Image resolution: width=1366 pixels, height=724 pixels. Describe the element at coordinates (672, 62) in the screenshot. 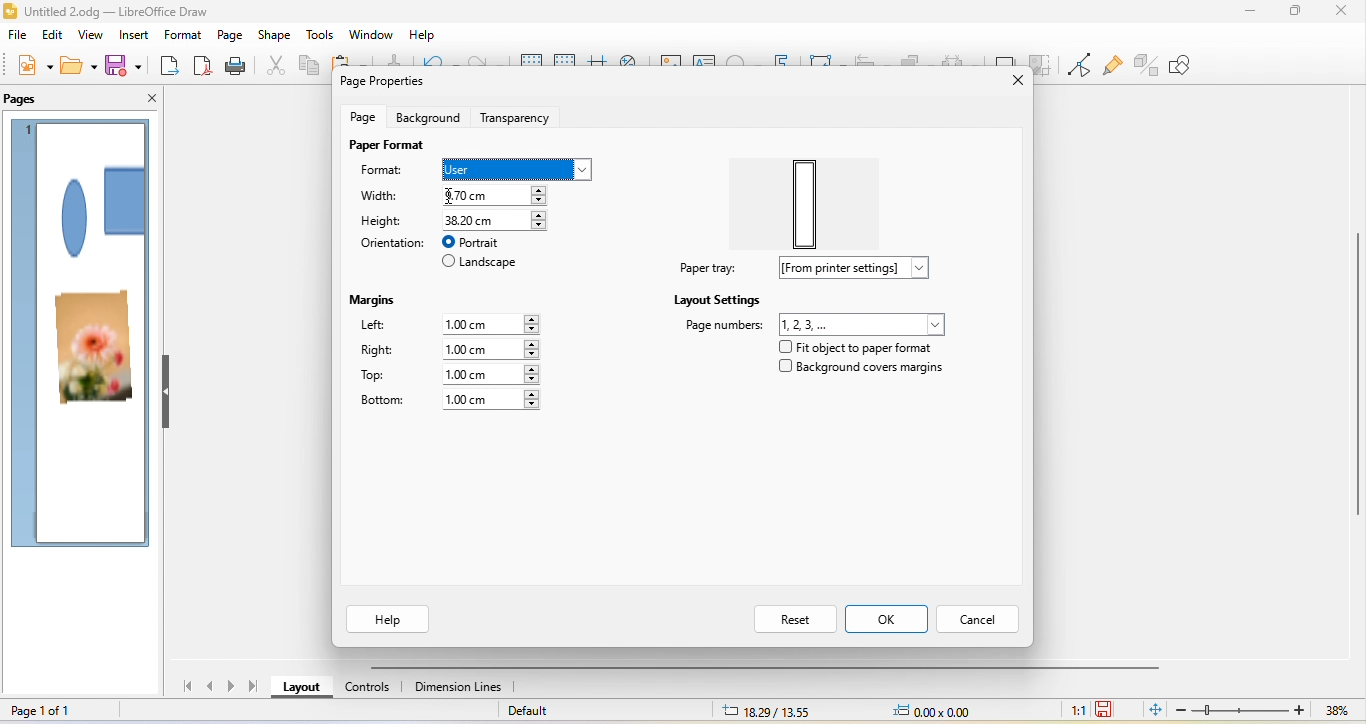

I see `image` at that location.